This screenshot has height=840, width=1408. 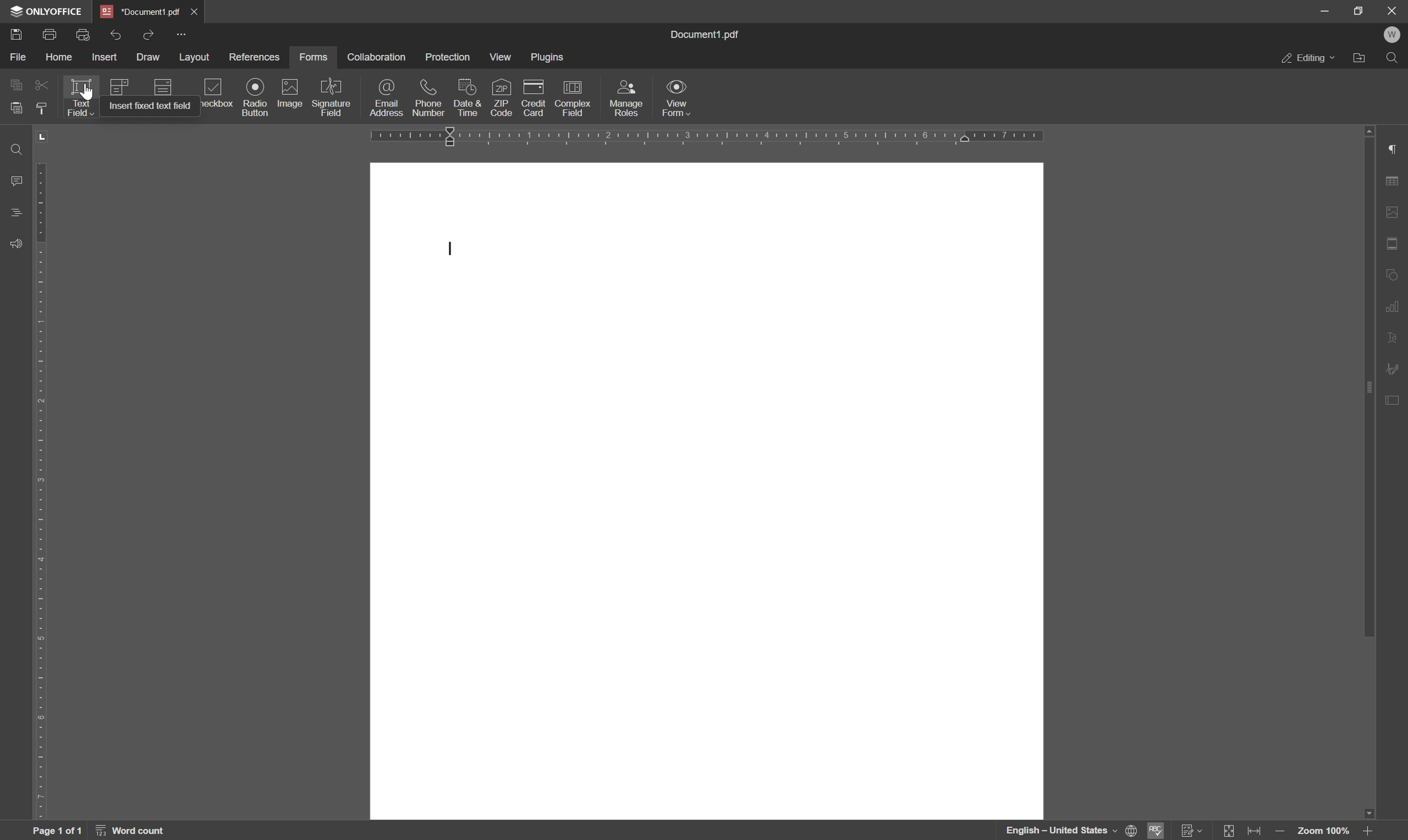 I want to click on save, so click(x=15, y=35).